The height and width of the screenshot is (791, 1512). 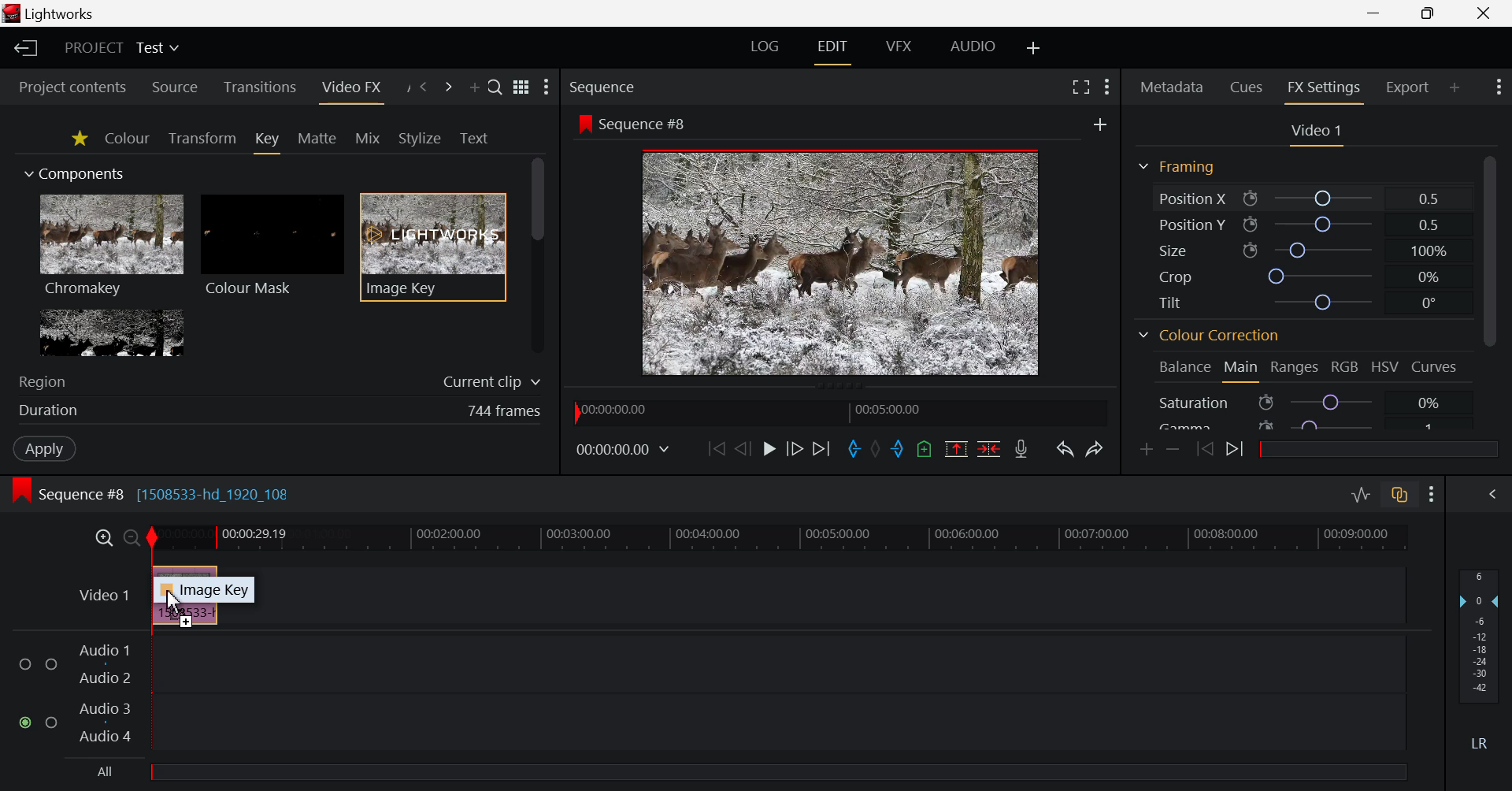 What do you see at coordinates (81, 171) in the screenshot?
I see `Components Section` at bounding box center [81, 171].